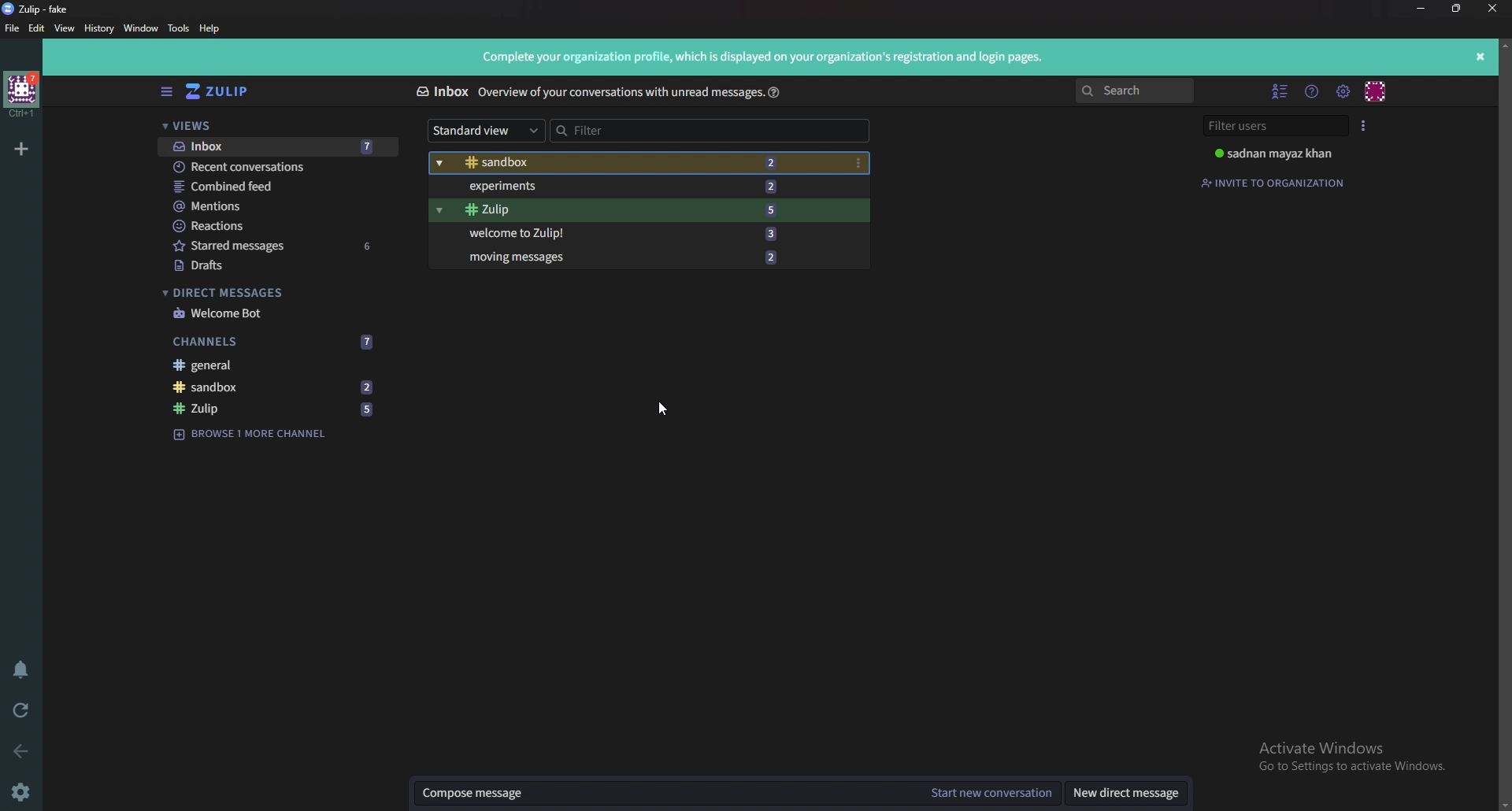 The width and height of the screenshot is (1512, 811). Describe the element at coordinates (1275, 182) in the screenshot. I see `Invite to organization` at that location.